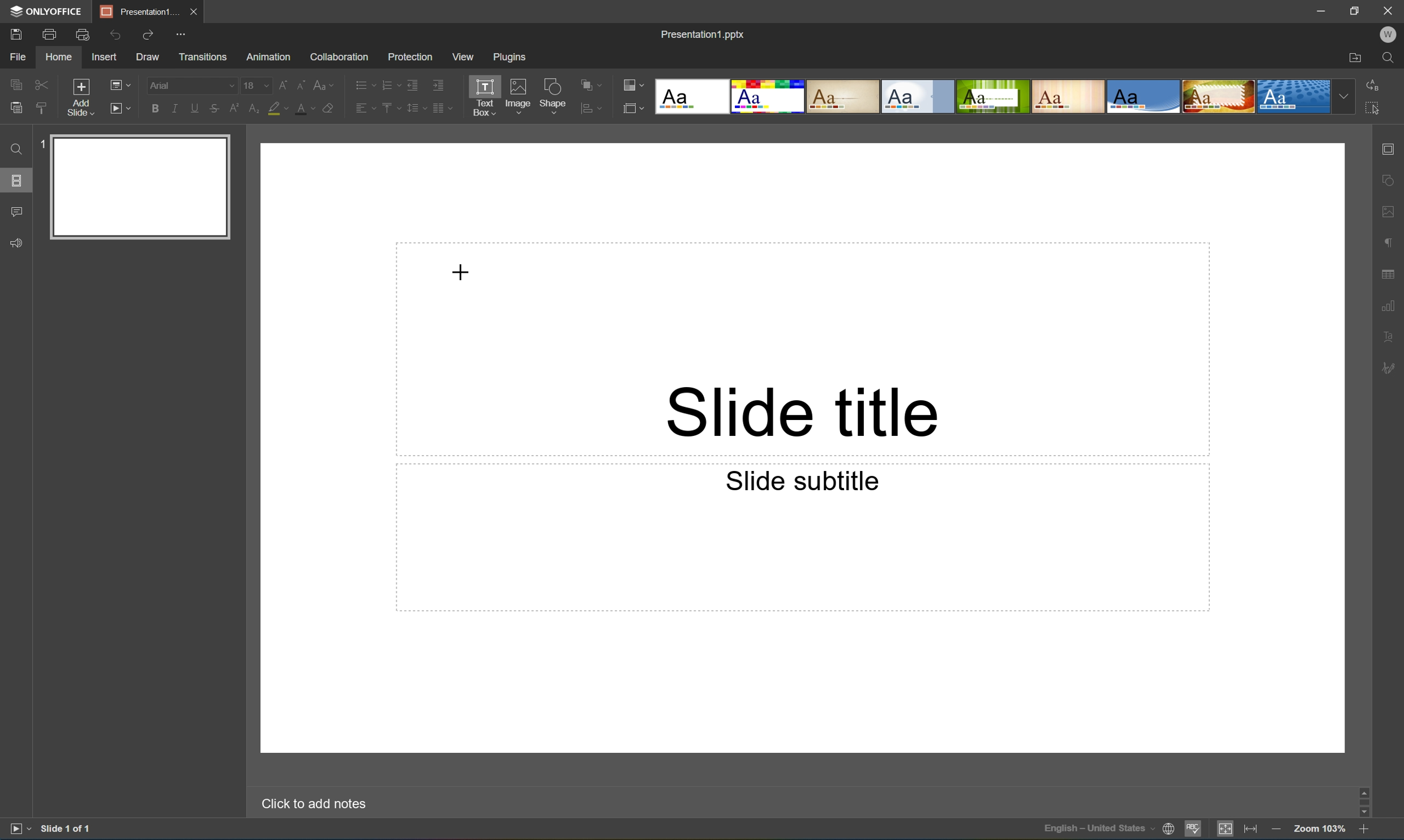 This screenshot has height=840, width=1404. I want to click on Restore Down, so click(1356, 9).